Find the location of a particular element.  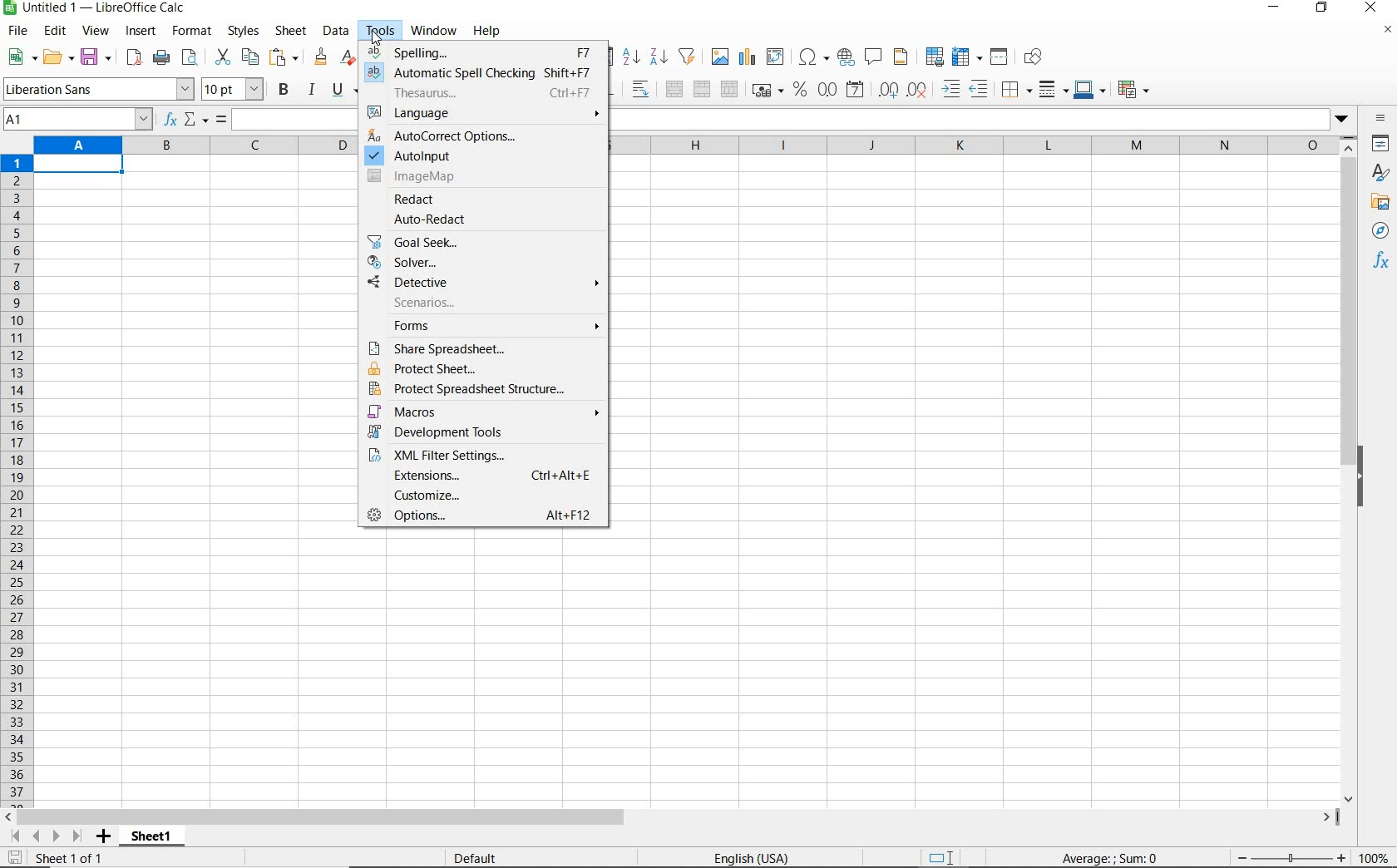

slide 1 of 1 is located at coordinates (67, 857).